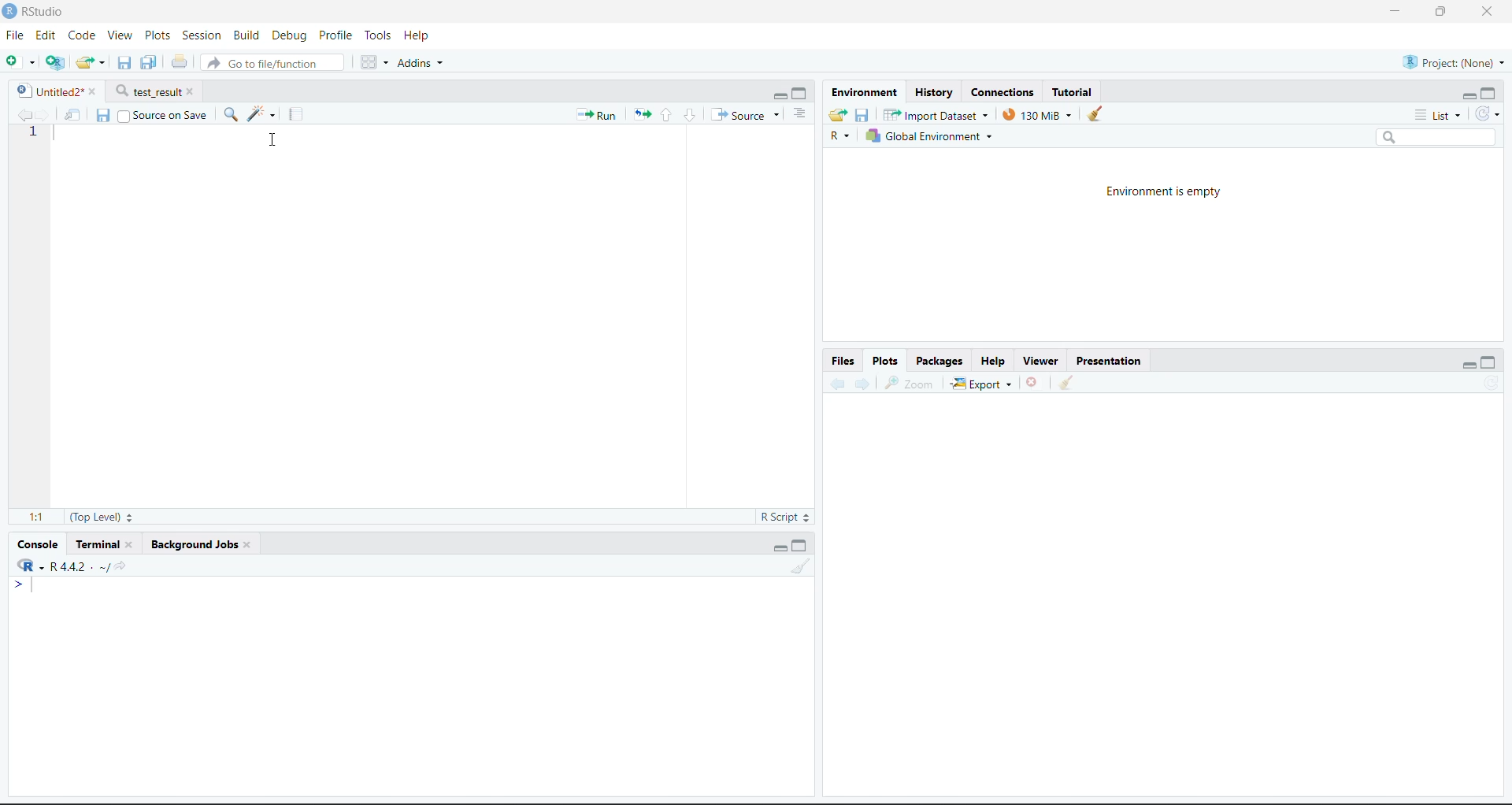 The image size is (1512, 805). Describe the element at coordinates (154, 34) in the screenshot. I see `Plots` at that location.